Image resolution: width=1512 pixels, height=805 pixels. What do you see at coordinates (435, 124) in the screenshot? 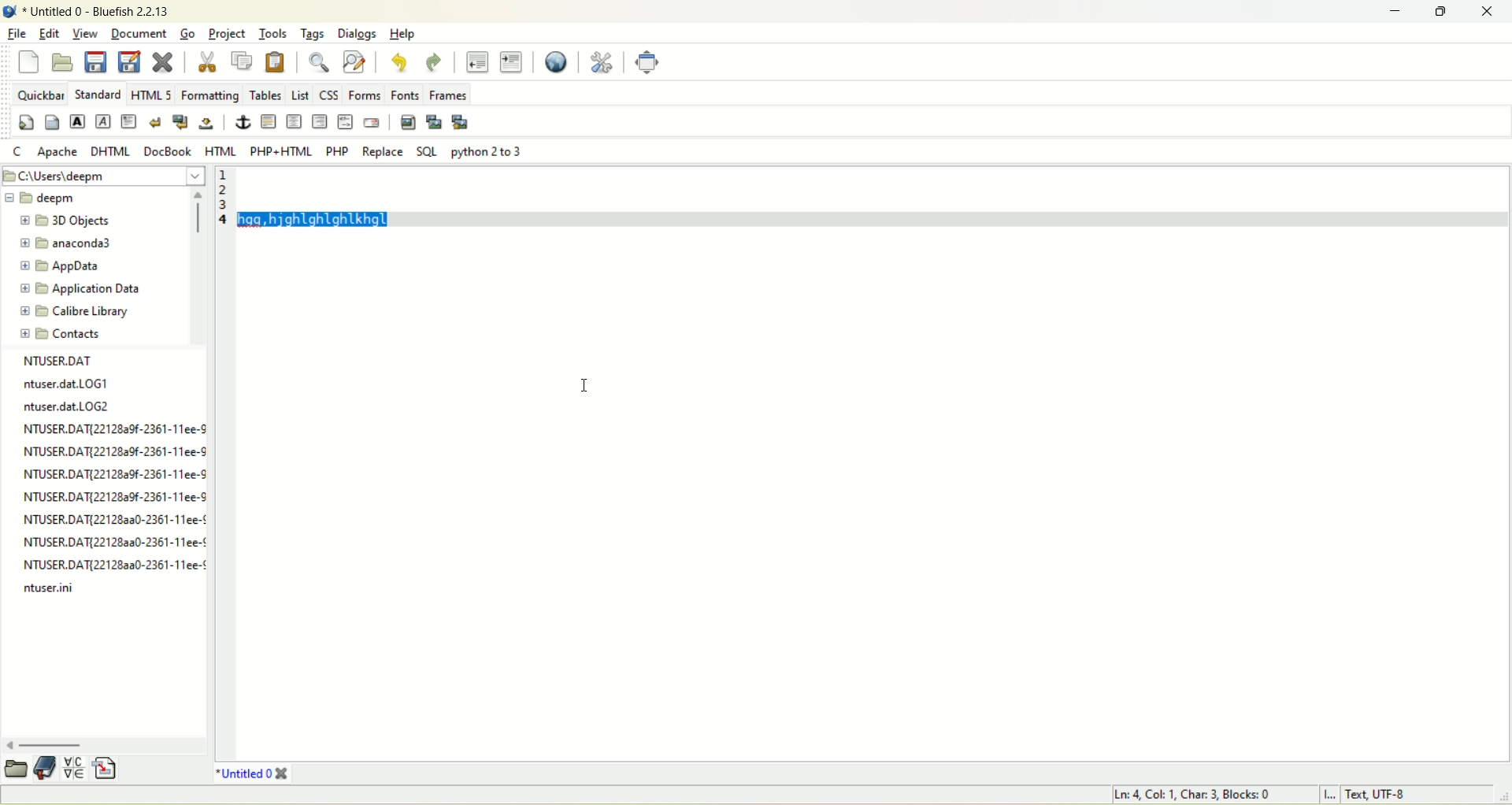
I see `insert thumbnail` at bounding box center [435, 124].